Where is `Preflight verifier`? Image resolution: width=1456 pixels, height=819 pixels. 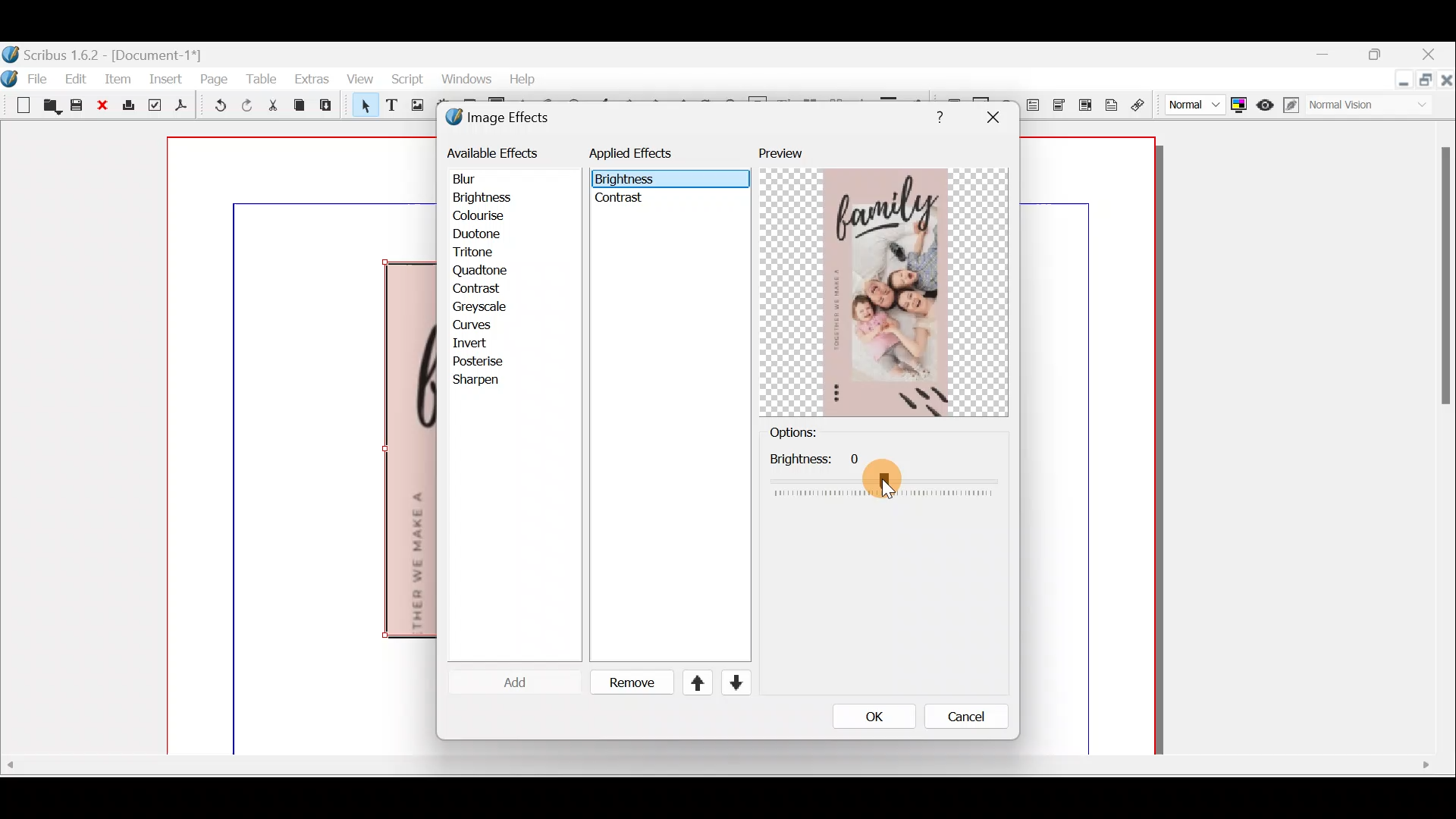 Preflight verifier is located at coordinates (155, 108).